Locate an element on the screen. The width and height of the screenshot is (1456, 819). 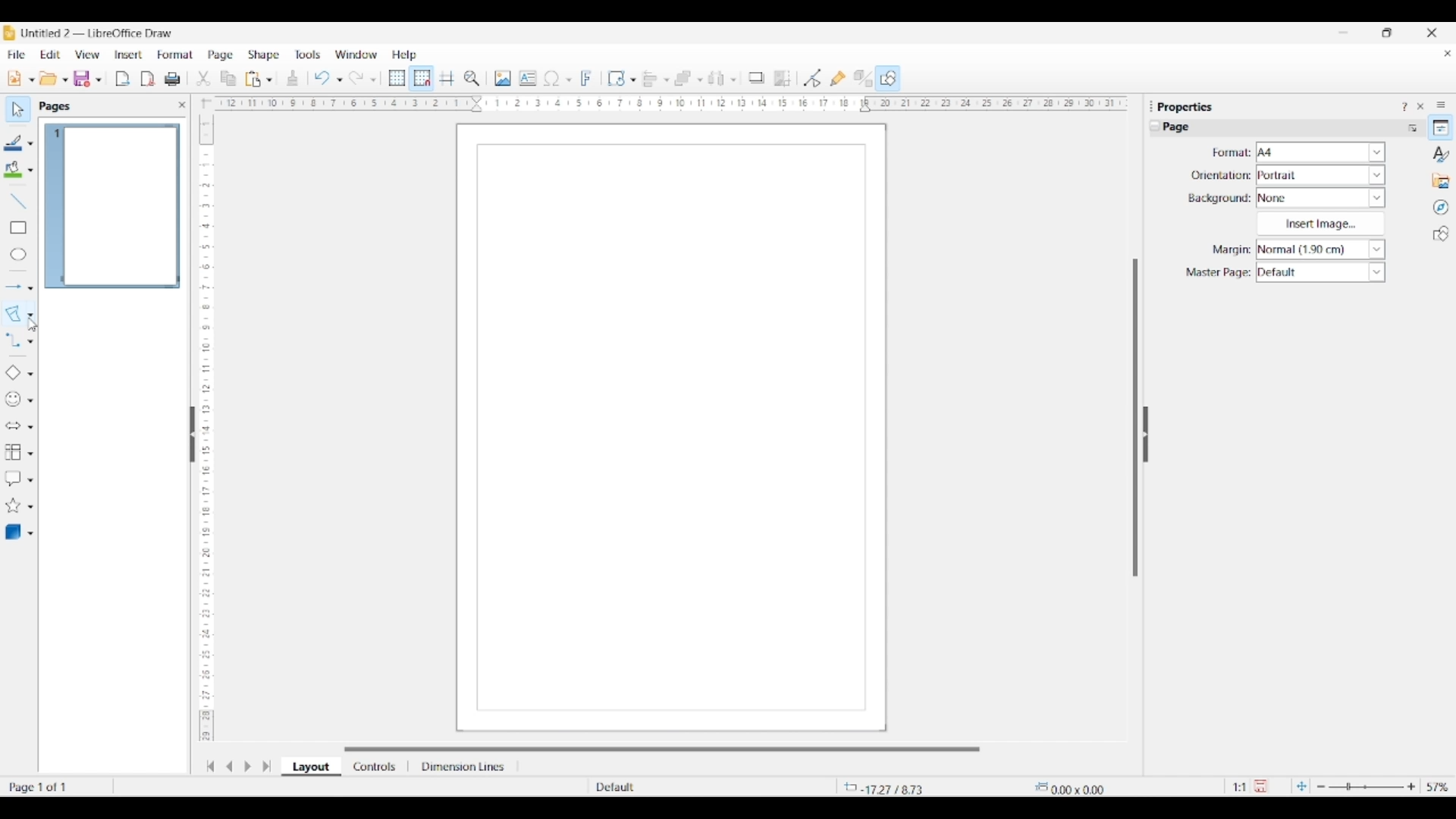
Page is located at coordinates (221, 56).